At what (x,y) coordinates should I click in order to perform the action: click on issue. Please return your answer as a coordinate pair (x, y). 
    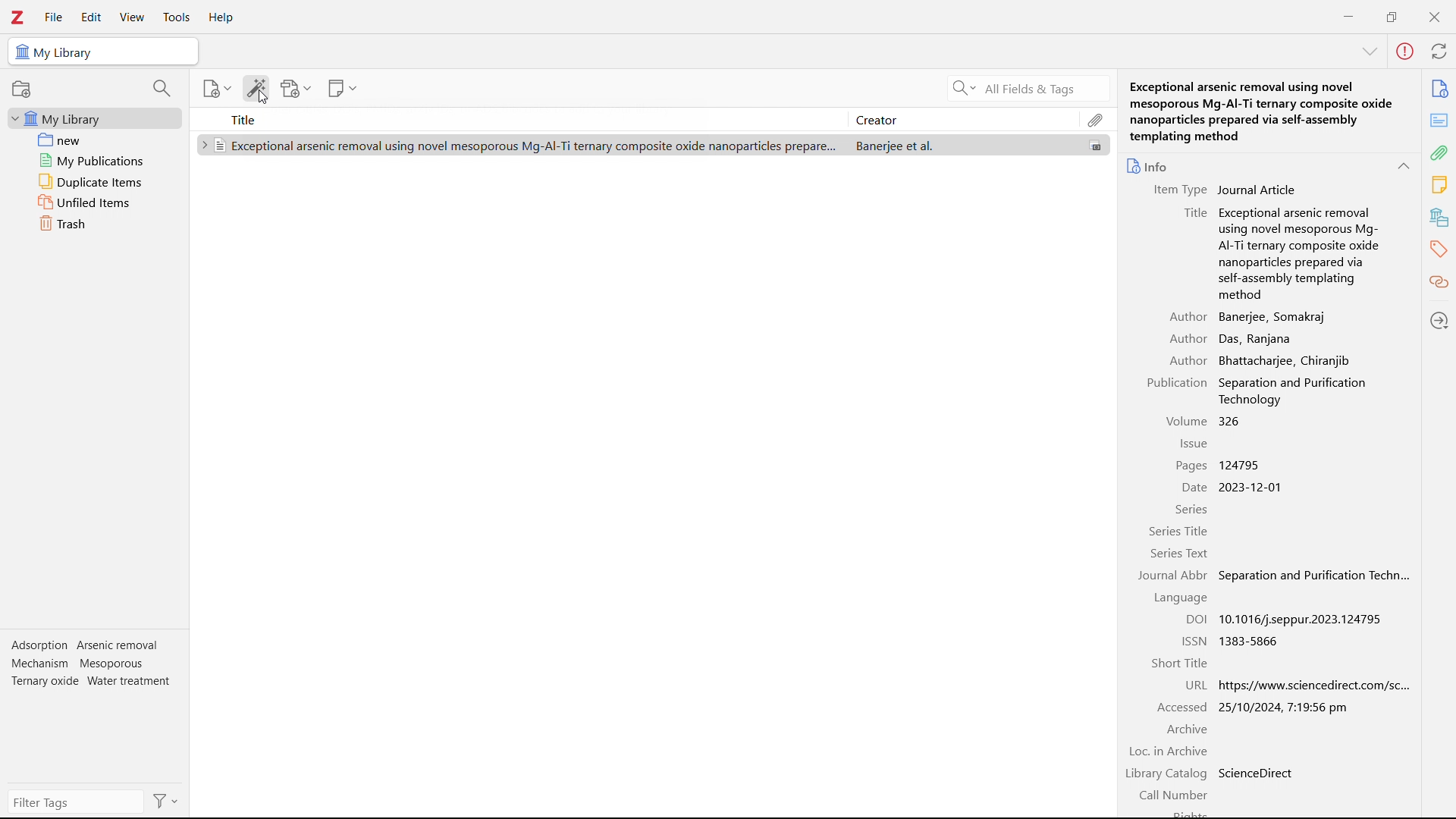
    Looking at the image, I should click on (1192, 444).